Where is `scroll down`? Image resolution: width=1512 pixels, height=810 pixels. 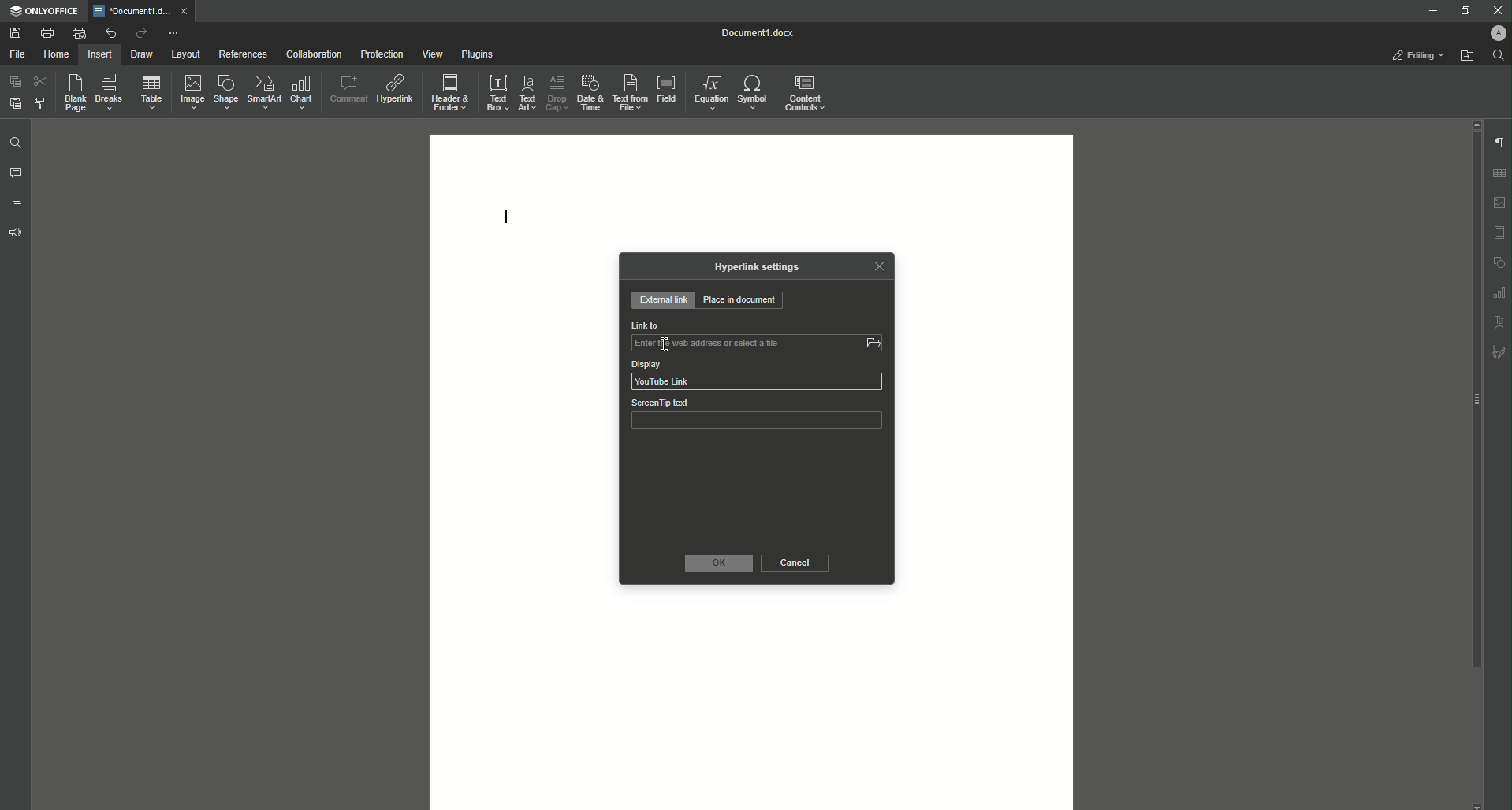
scroll down is located at coordinates (1478, 805).